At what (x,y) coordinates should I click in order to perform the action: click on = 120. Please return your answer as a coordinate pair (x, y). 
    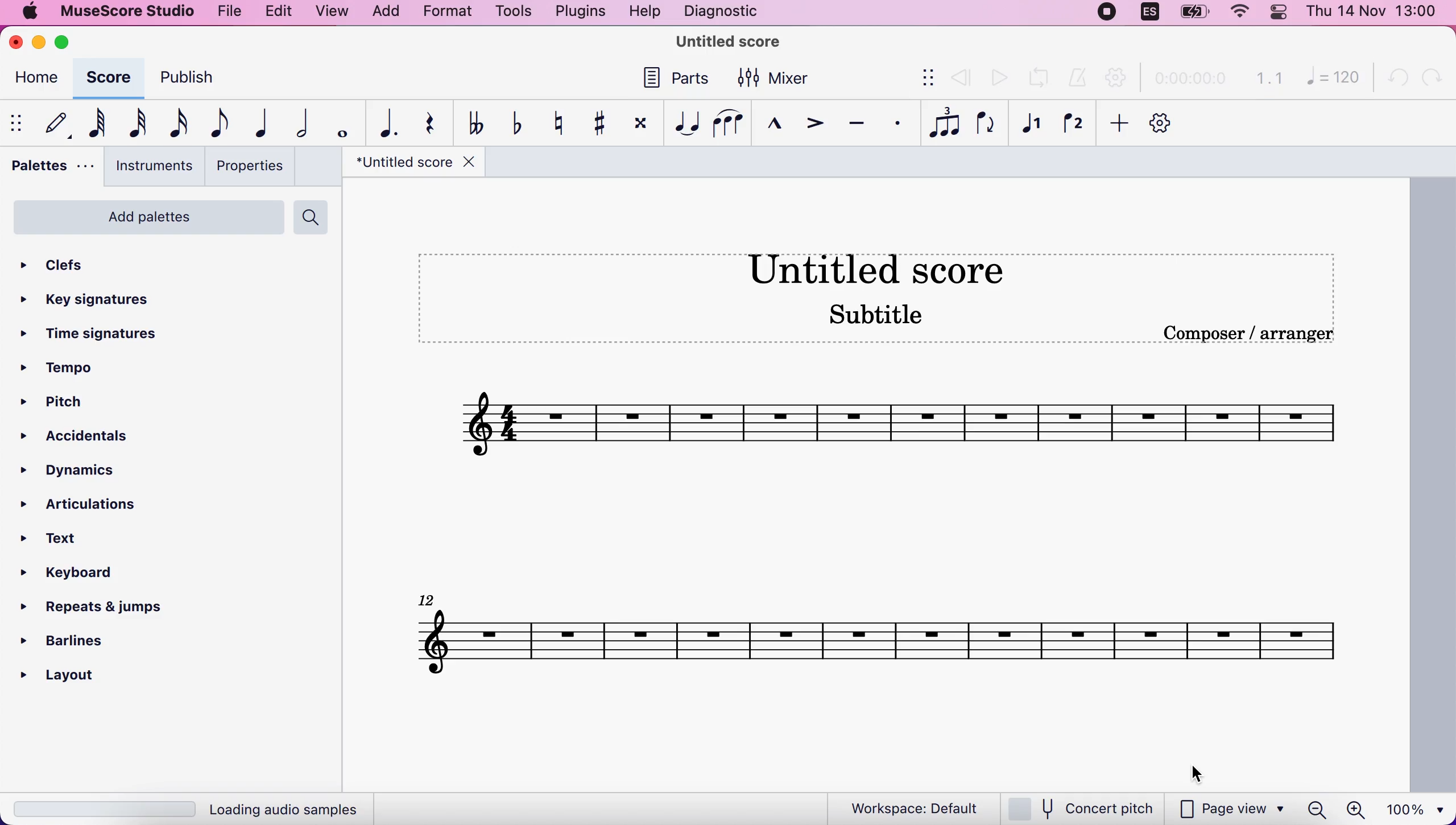
    Looking at the image, I should click on (1327, 77).